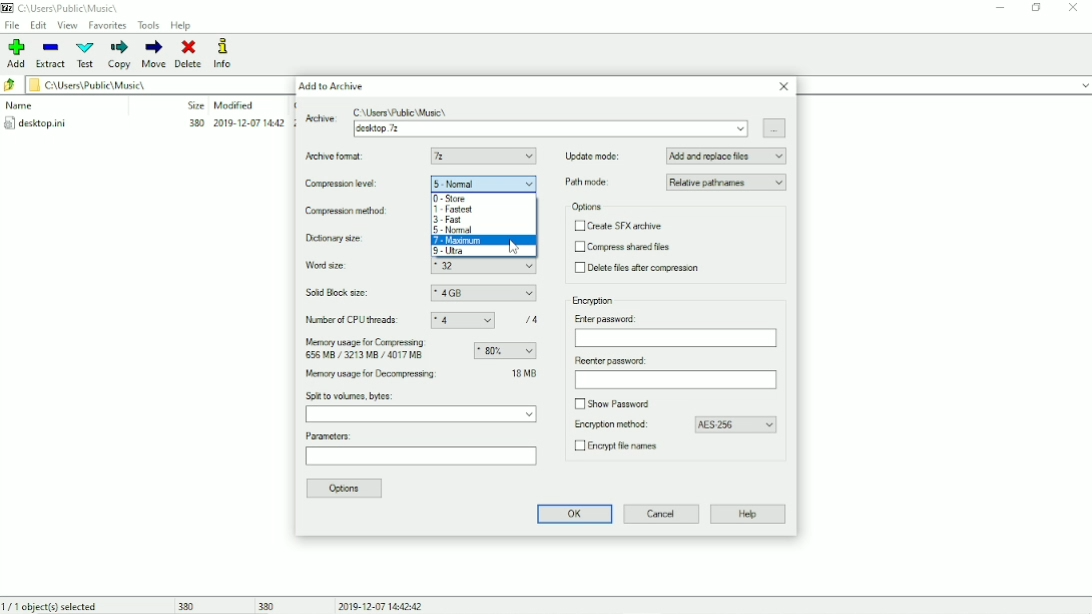 The width and height of the screenshot is (1092, 614). What do you see at coordinates (1037, 7) in the screenshot?
I see `Restore down` at bounding box center [1037, 7].